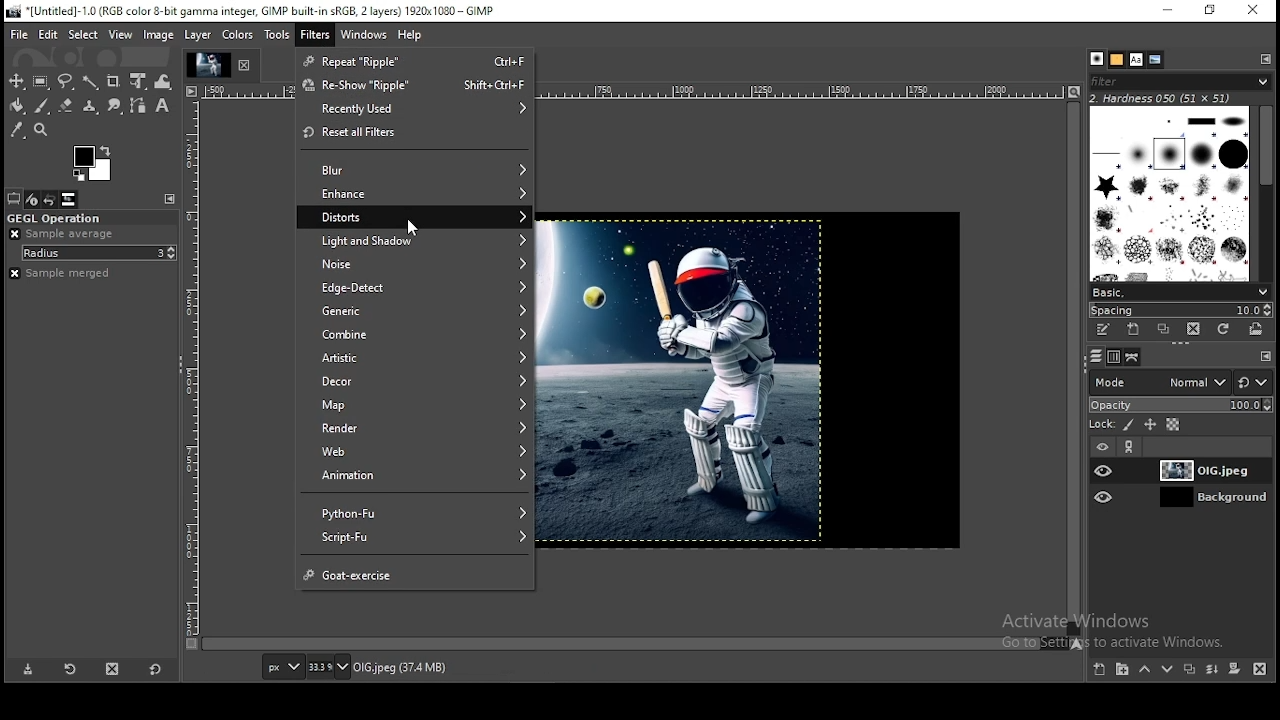 The width and height of the screenshot is (1280, 720). What do you see at coordinates (1160, 382) in the screenshot?
I see `layer mode` at bounding box center [1160, 382].